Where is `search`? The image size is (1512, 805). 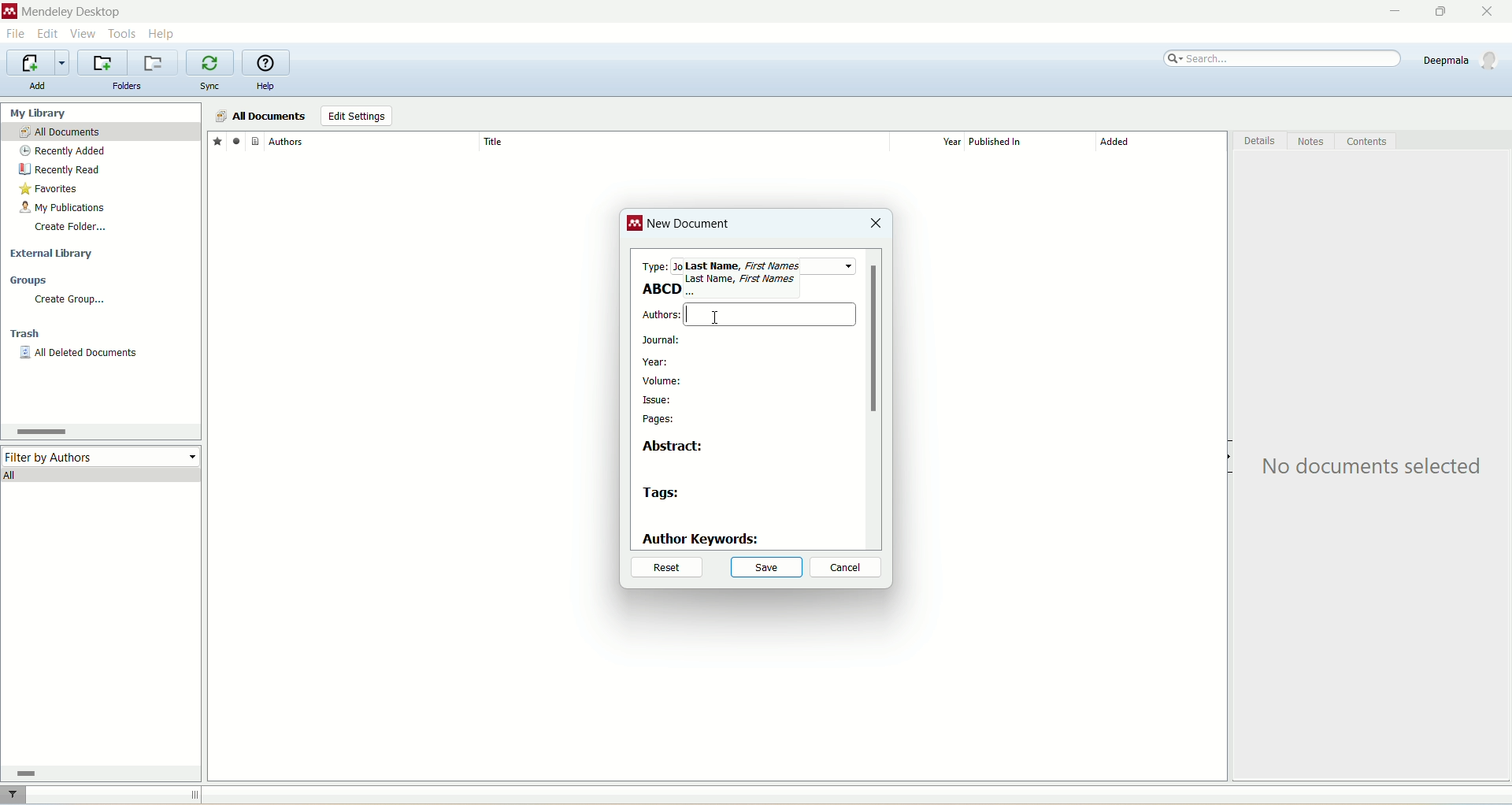
search is located at coordinates (1284, 59).